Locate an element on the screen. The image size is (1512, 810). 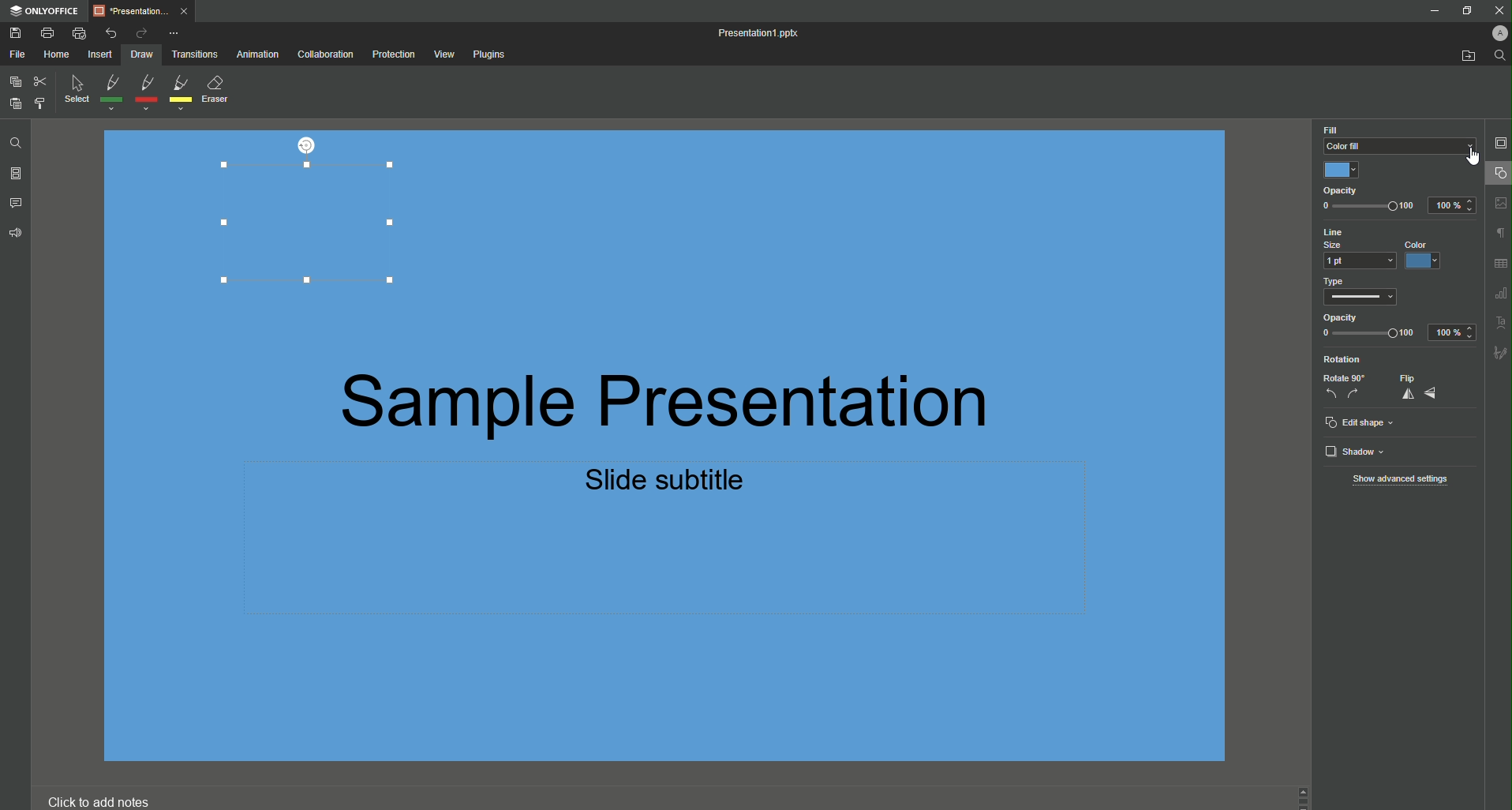
Quick Print is located at coordinates (80, 32).